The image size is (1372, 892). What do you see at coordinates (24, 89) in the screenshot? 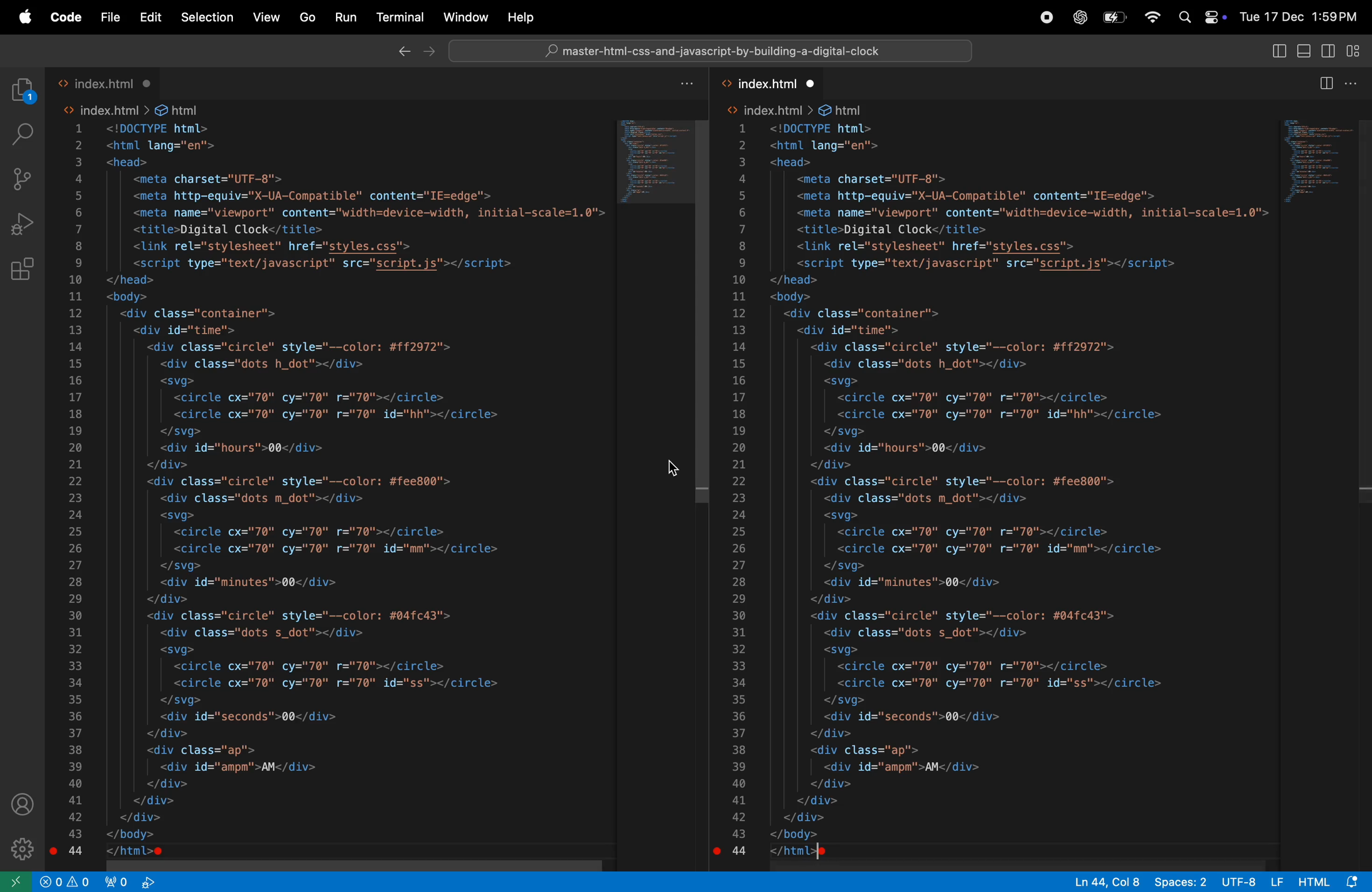
I see `explore` at bounding box center [24, 89].